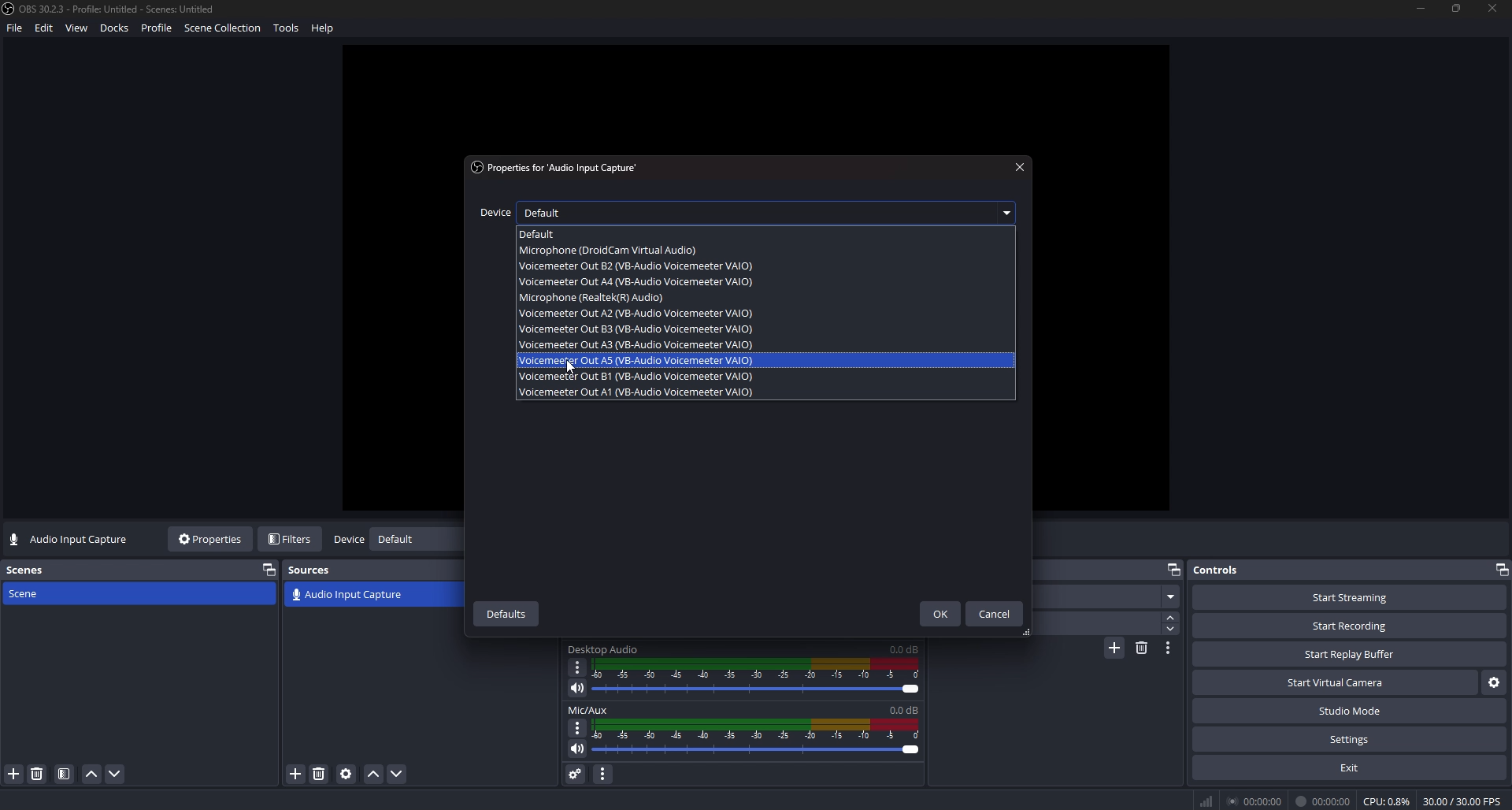  Describe the element at coordinates (638, 375) in the screenshot. I see `voicemeeter out b1` at that location.